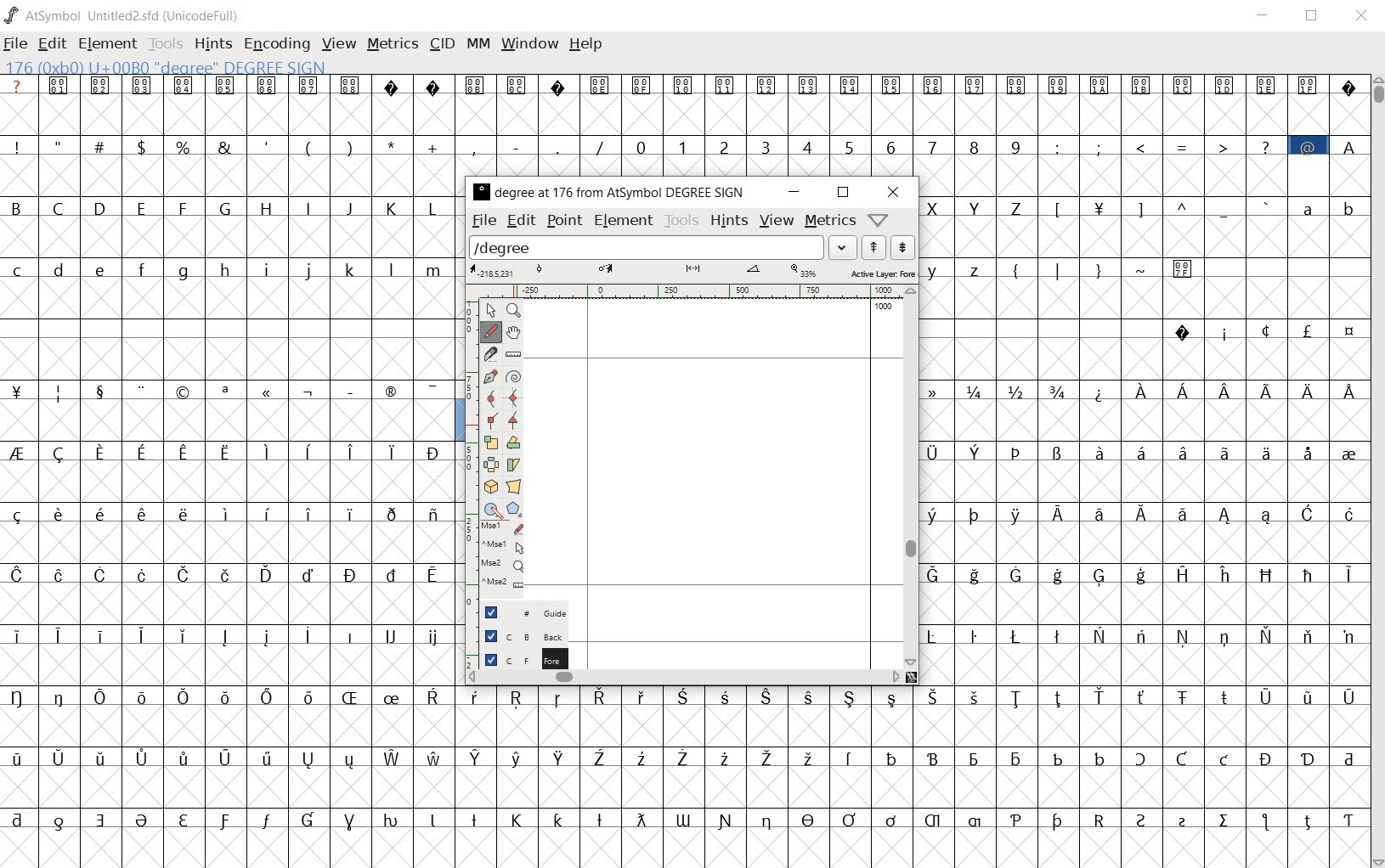 This screenshot has height=868, width=1385. I want to click on empty glyph slots, so click(1146, 174).